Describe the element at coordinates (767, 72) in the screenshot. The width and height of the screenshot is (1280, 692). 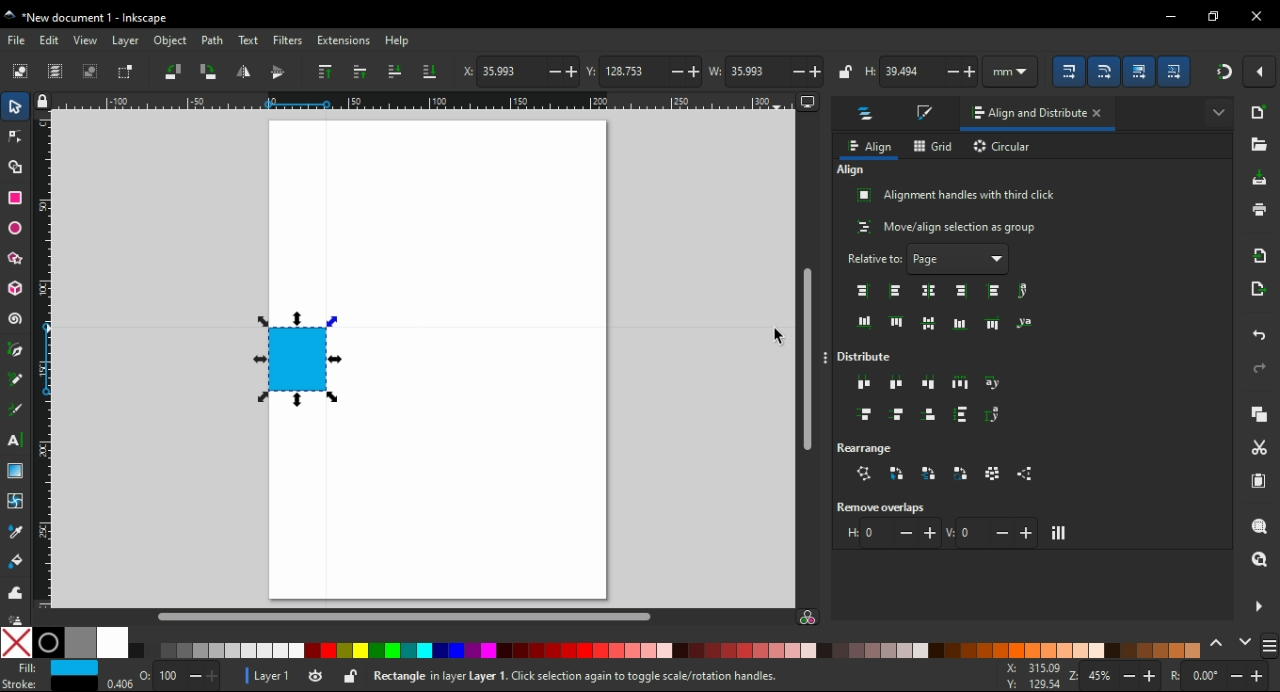
I see `width of selection` at that location.